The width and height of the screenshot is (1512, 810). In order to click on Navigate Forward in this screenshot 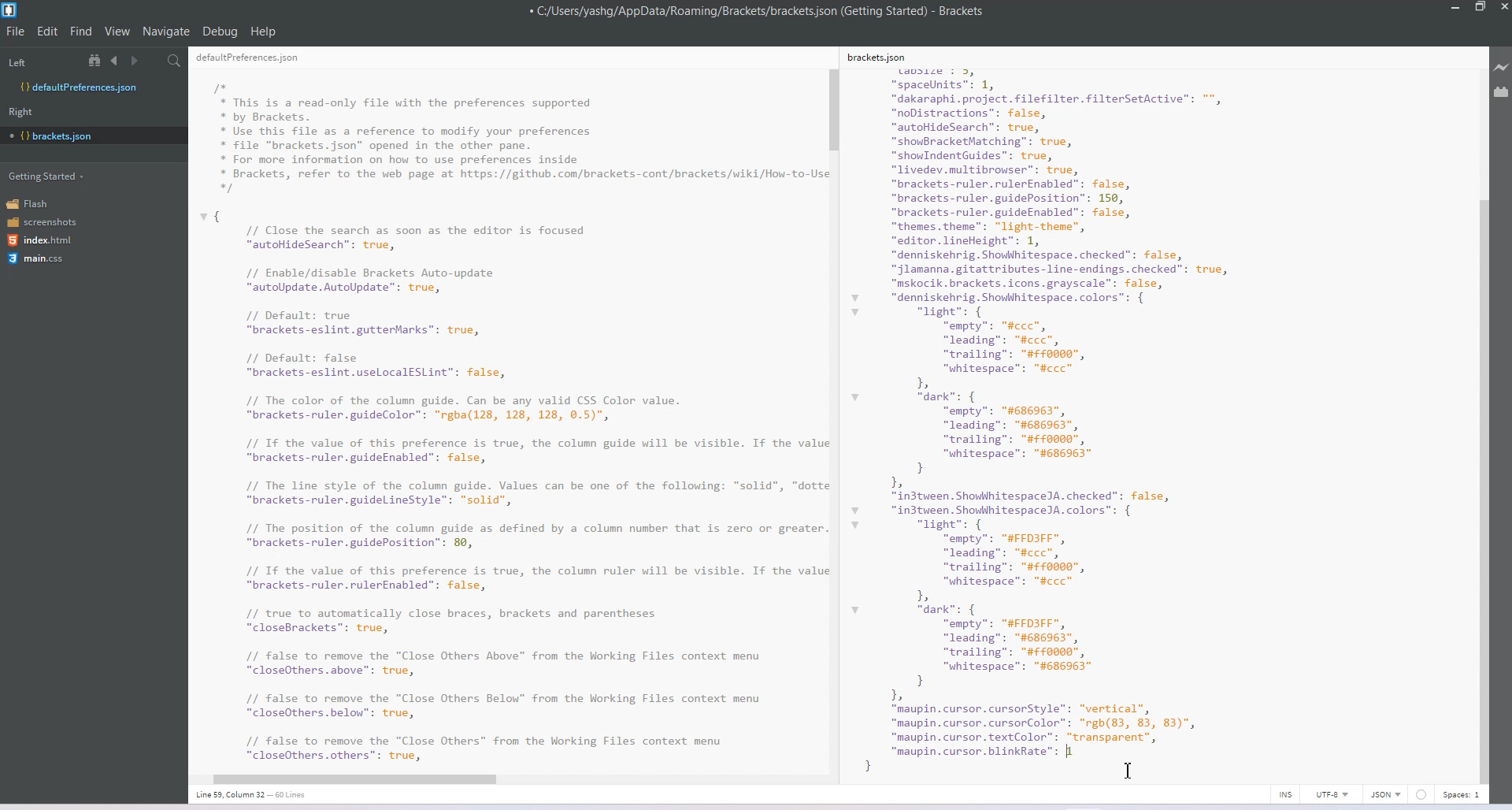, I will do `click(136, 61)`.